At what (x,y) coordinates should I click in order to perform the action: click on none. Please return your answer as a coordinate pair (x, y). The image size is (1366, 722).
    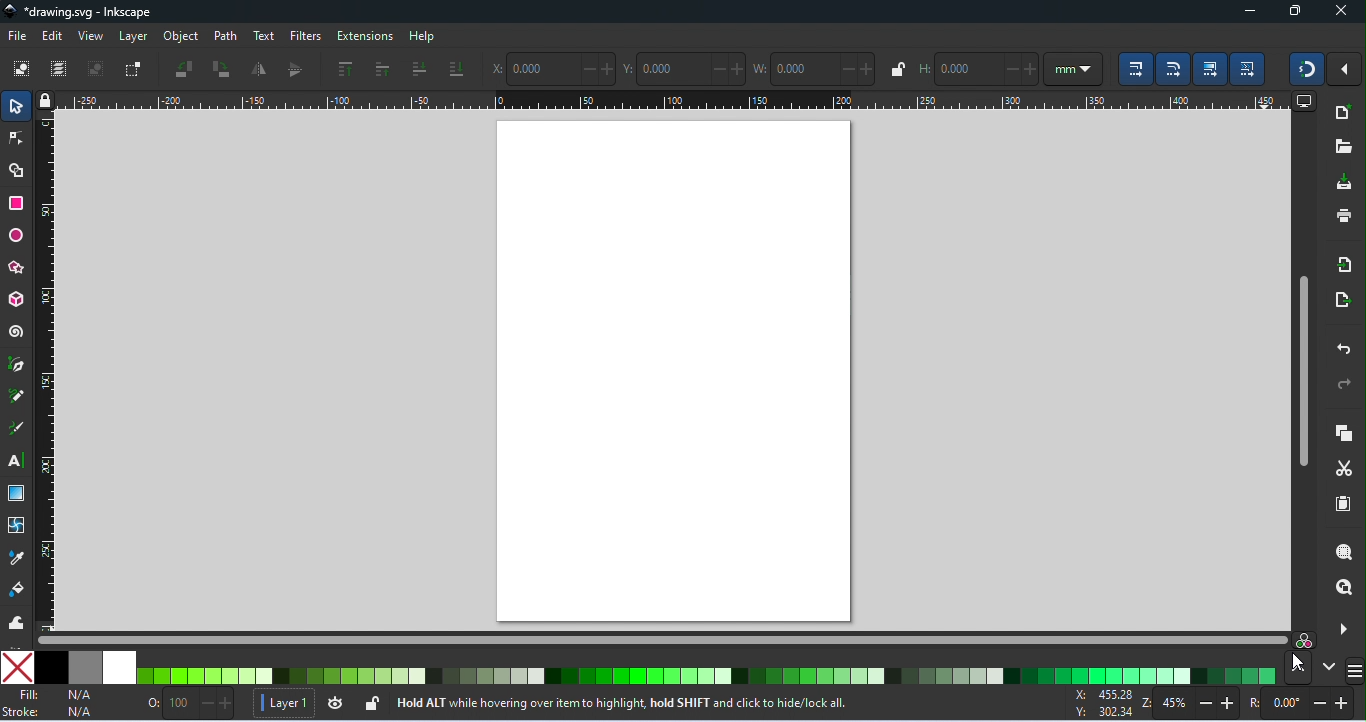
    Looking at the image, I should click on (18, 667).